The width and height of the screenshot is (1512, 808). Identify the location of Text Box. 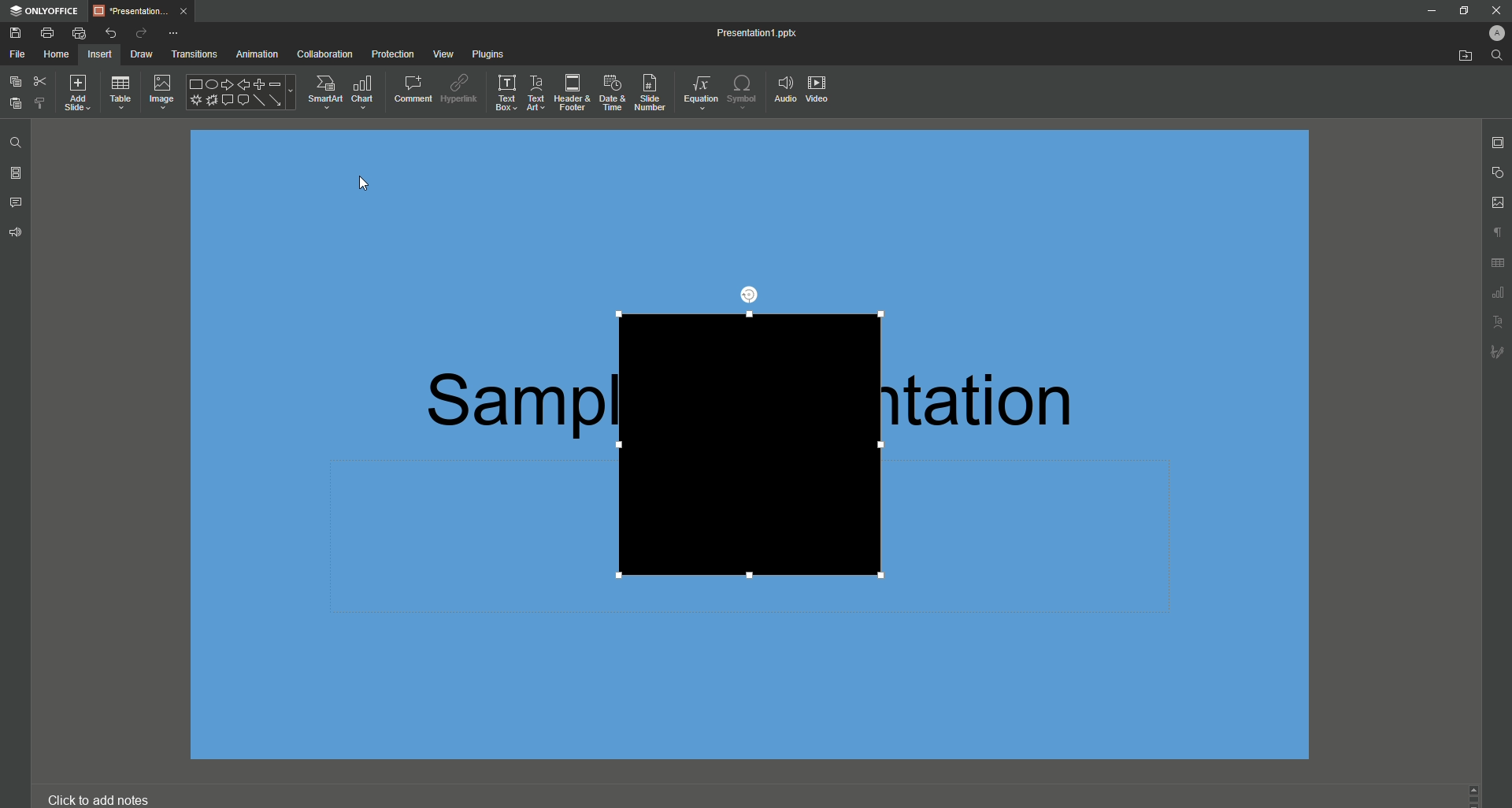
(502, 93).